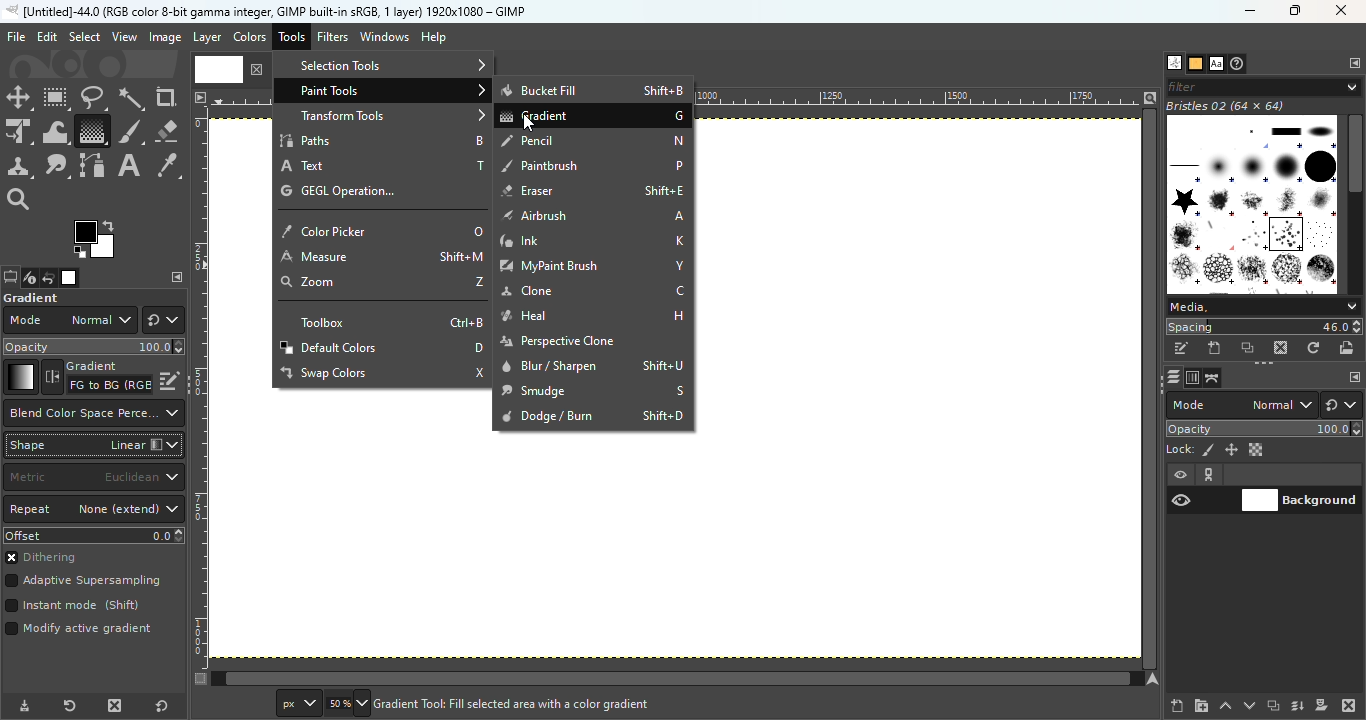 Image resolution: width=1366 pixels, height=720 pixels. I want to click on Filter, so click(1264, 86).